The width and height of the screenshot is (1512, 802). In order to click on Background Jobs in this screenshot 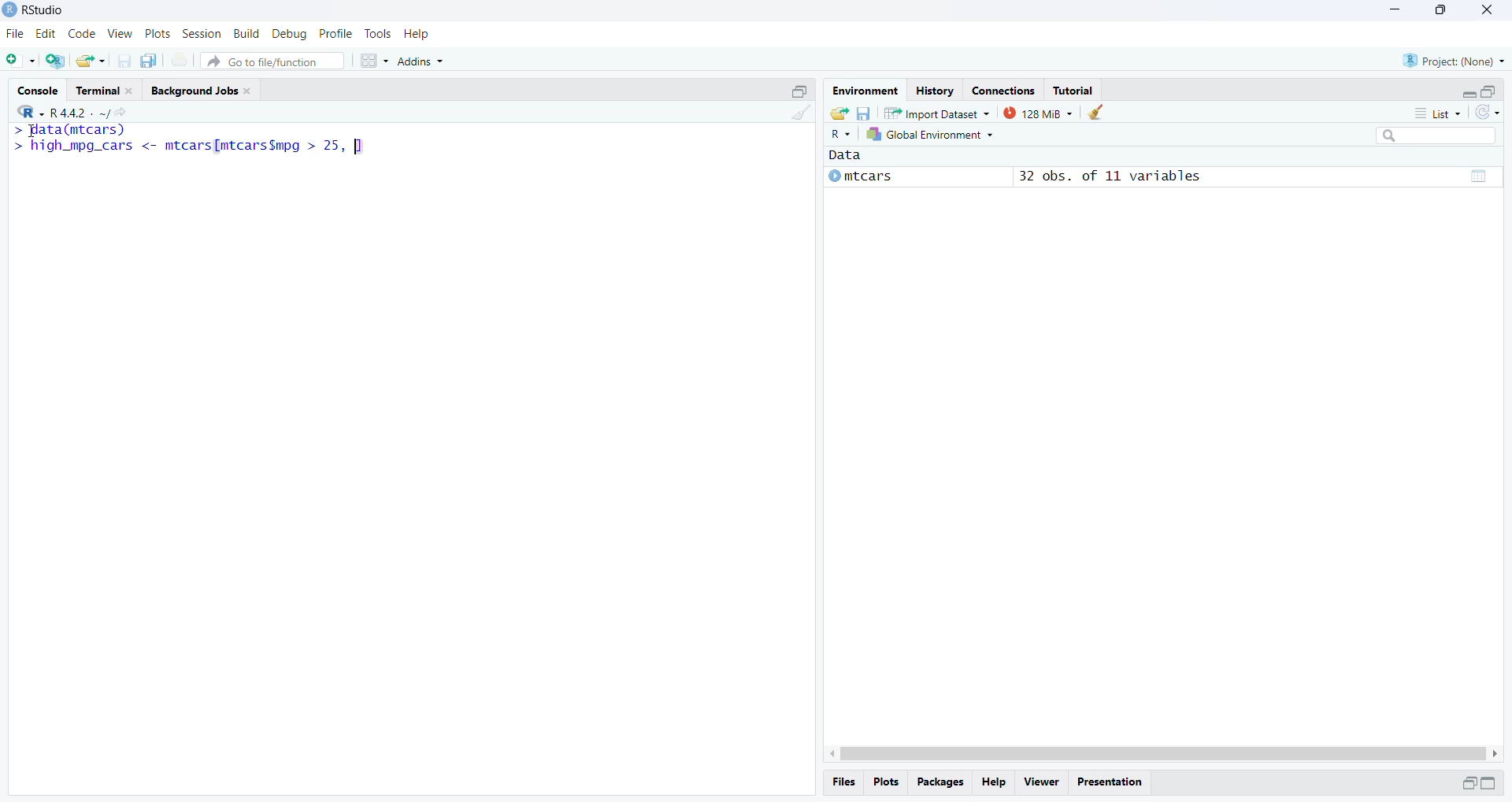, I will do `click(206, 90)`.